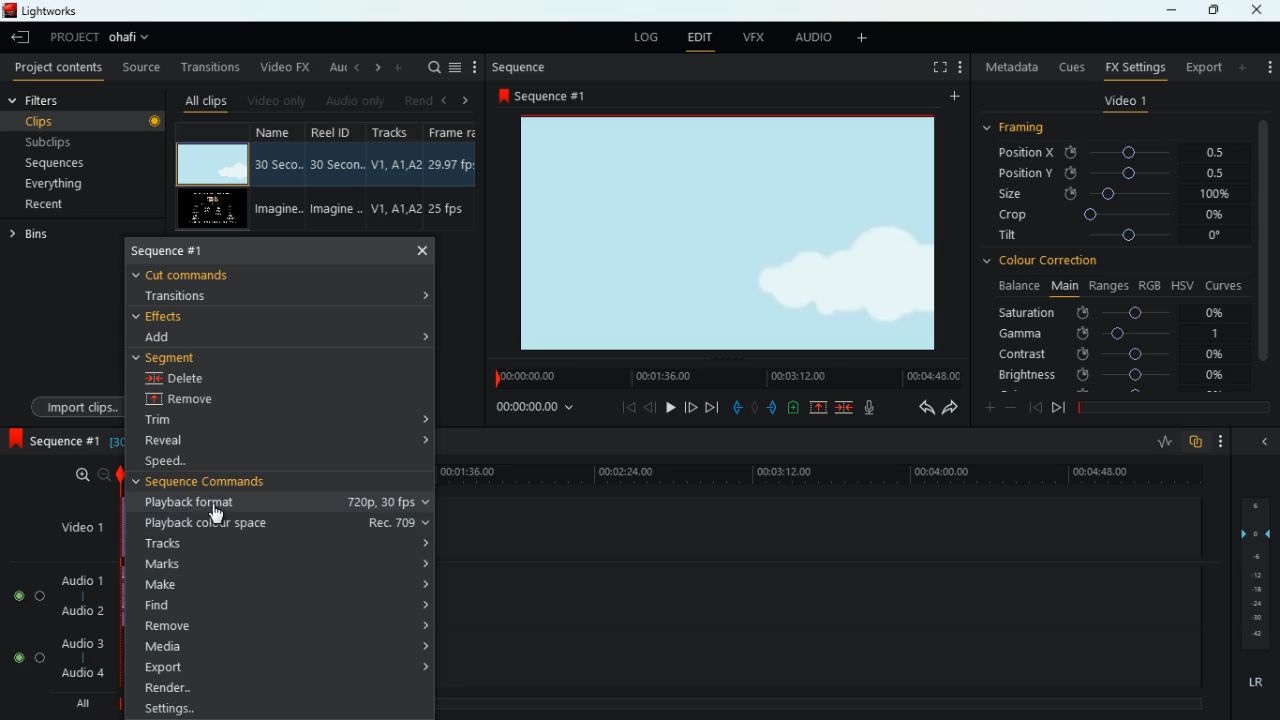  What do you see at coordinates (416, 99) in the screenshot?
I see `rend` at bounding box center [416, 99].